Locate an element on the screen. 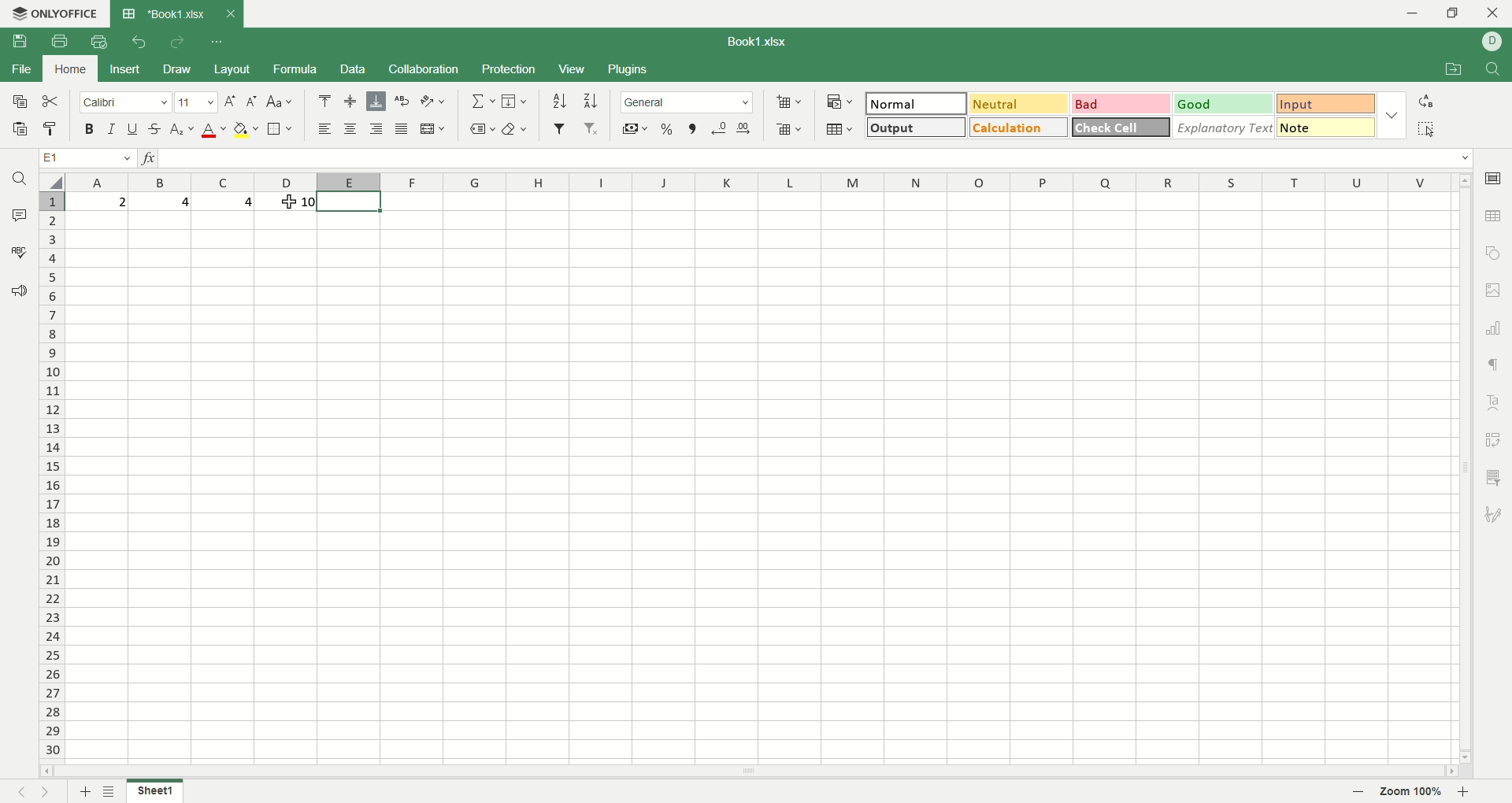  vertical scroll bar is located at coordinates (1466, 475).